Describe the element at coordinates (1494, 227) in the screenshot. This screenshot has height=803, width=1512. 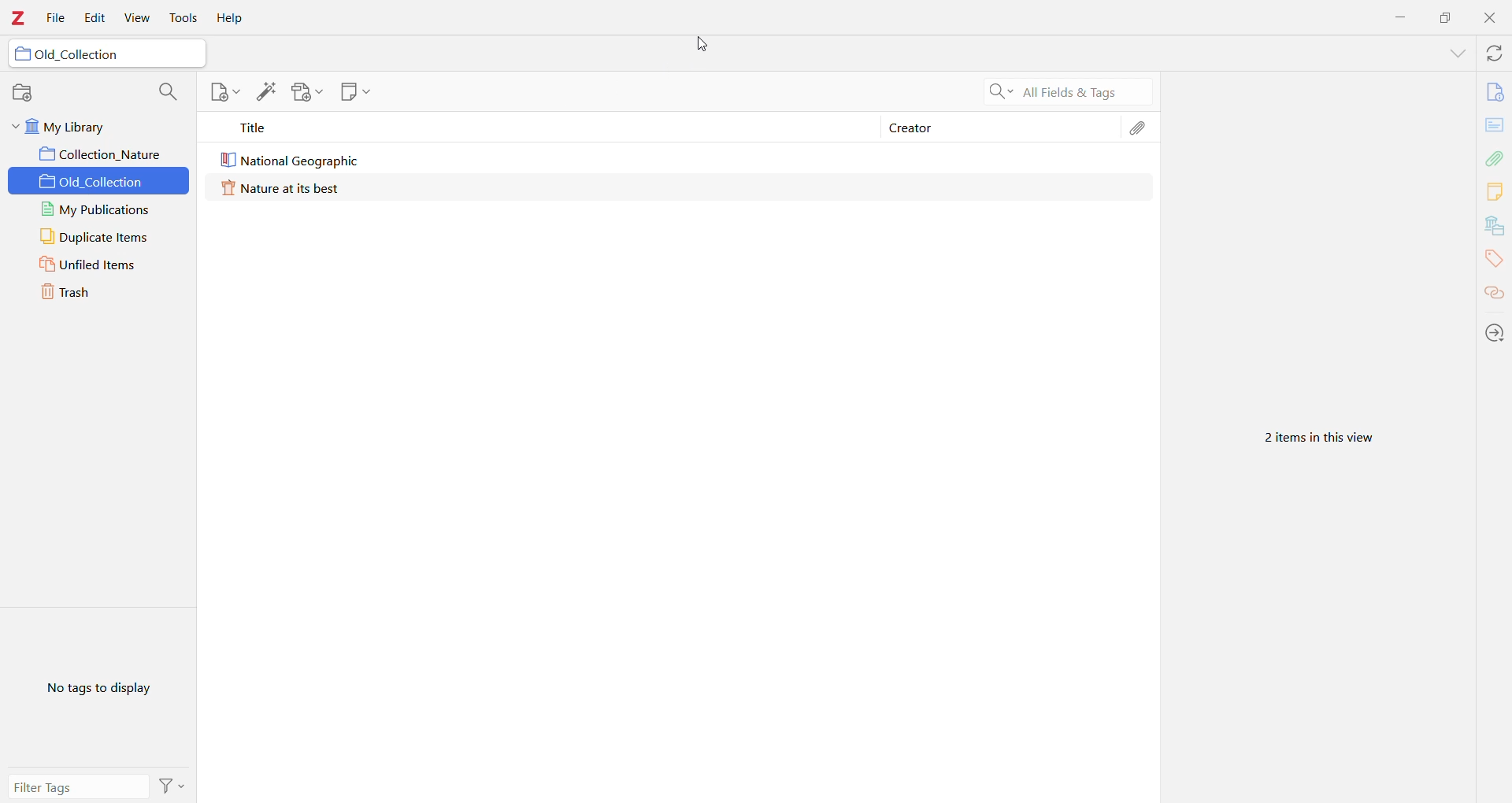
I see `Libraries and Collections` at that location.